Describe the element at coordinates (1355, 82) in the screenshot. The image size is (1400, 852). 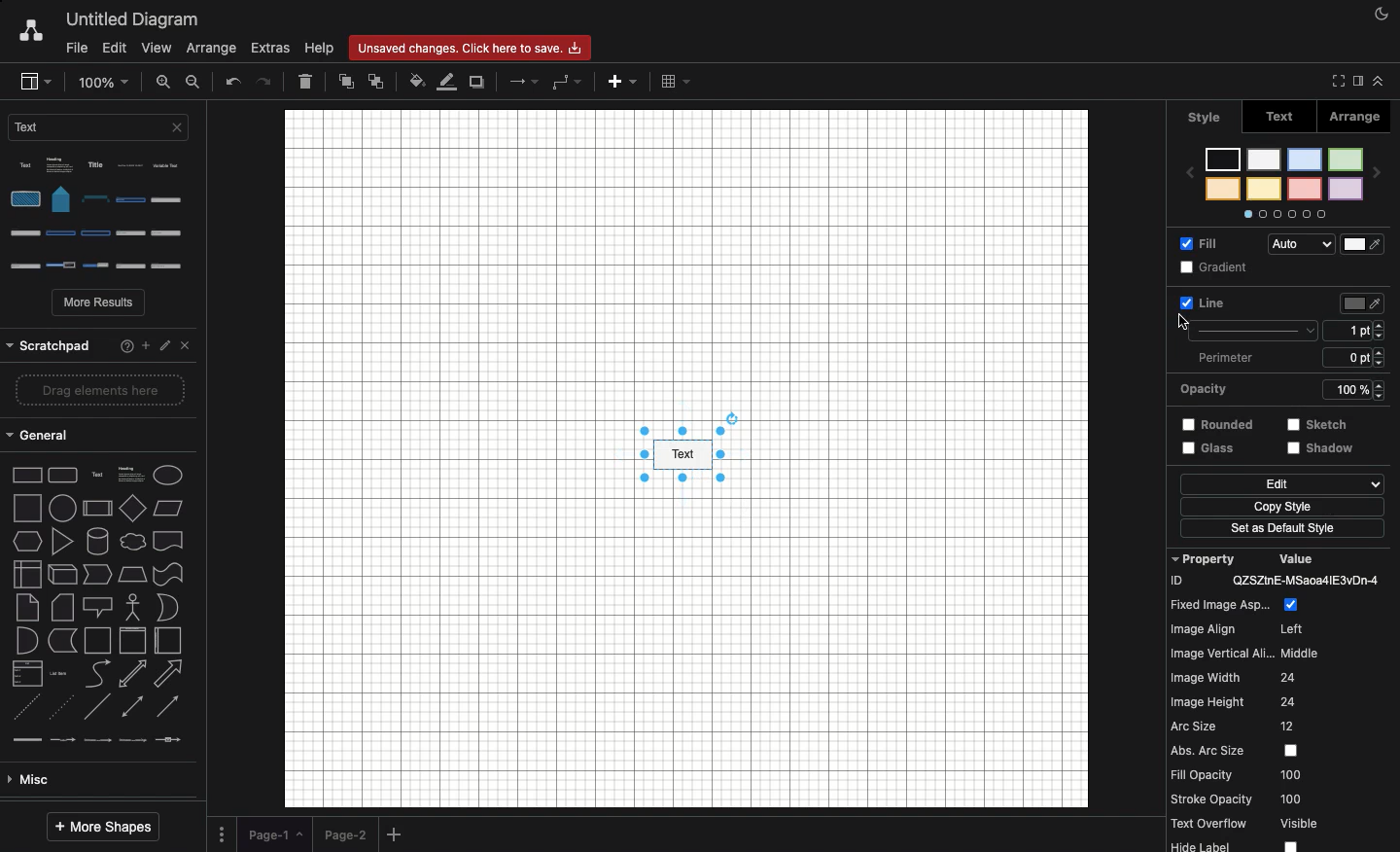
I see `Sidebar` at that location.